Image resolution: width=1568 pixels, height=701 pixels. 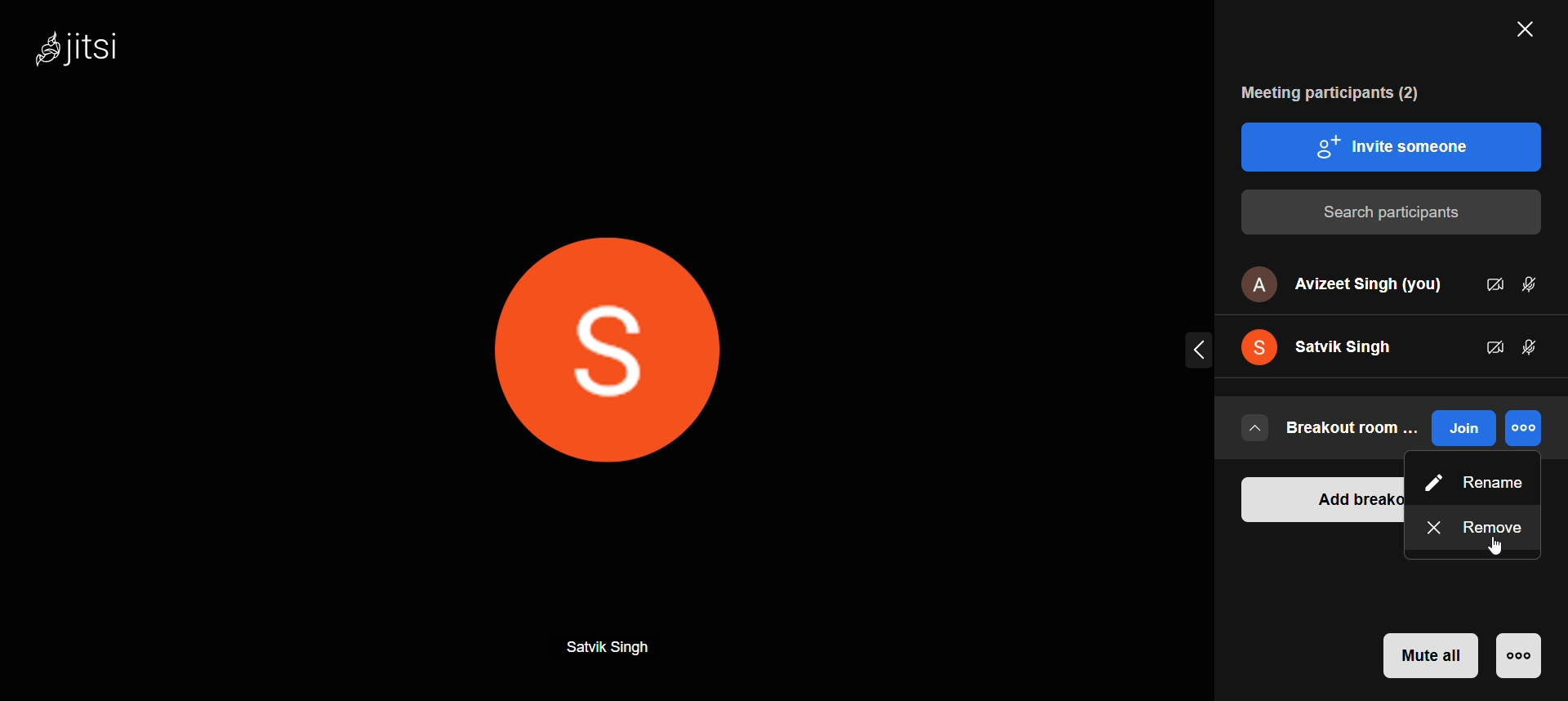 I want to click on participant video status, so click(x=1490, y=345).